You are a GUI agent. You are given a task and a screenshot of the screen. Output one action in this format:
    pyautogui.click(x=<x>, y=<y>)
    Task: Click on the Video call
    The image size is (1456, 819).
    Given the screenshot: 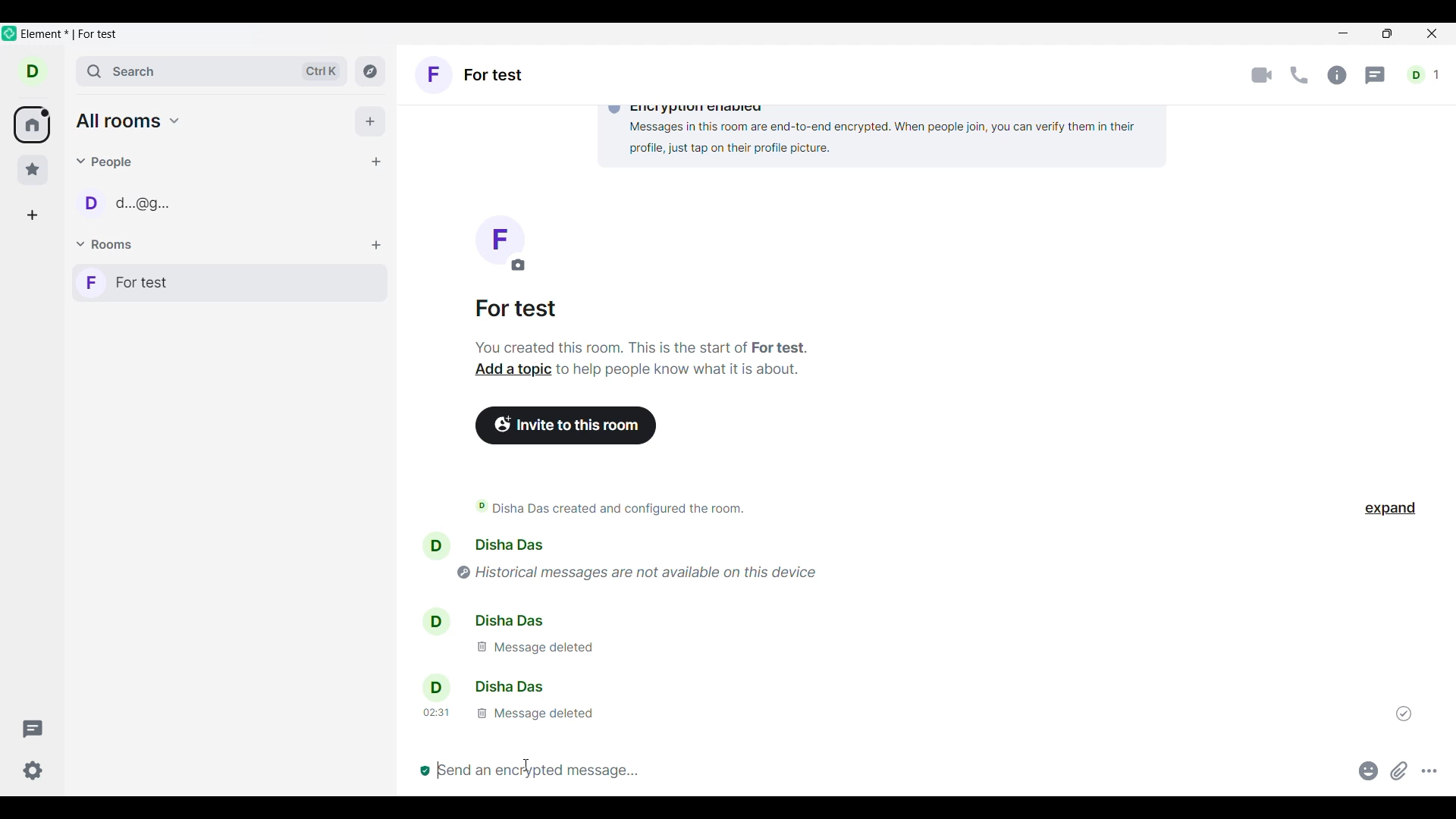 What is the action you would take?
    pyautogui.click(x=1262, y=76)
    